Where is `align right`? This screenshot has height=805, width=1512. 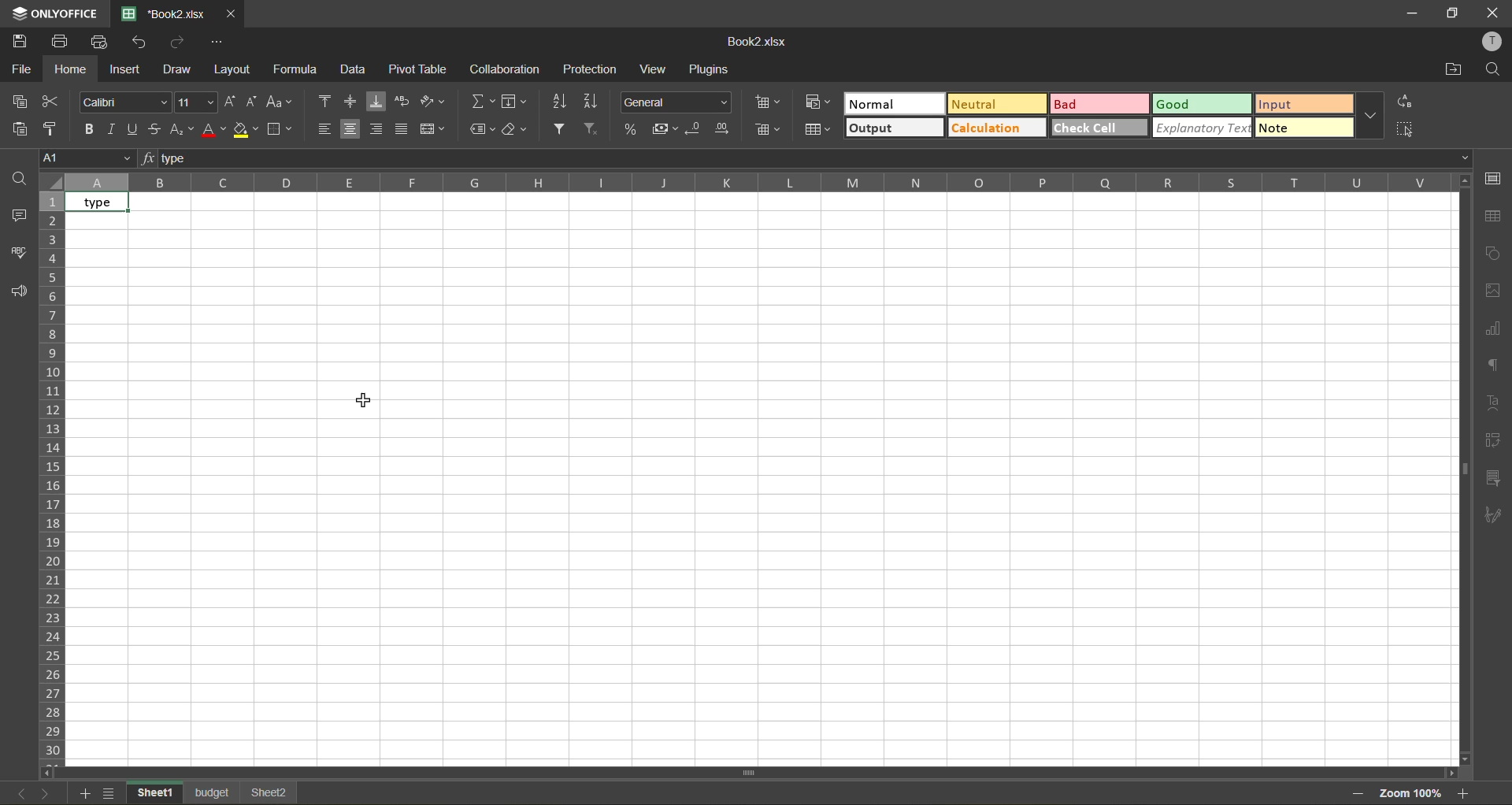 align right is located at coordinates (380, 130).